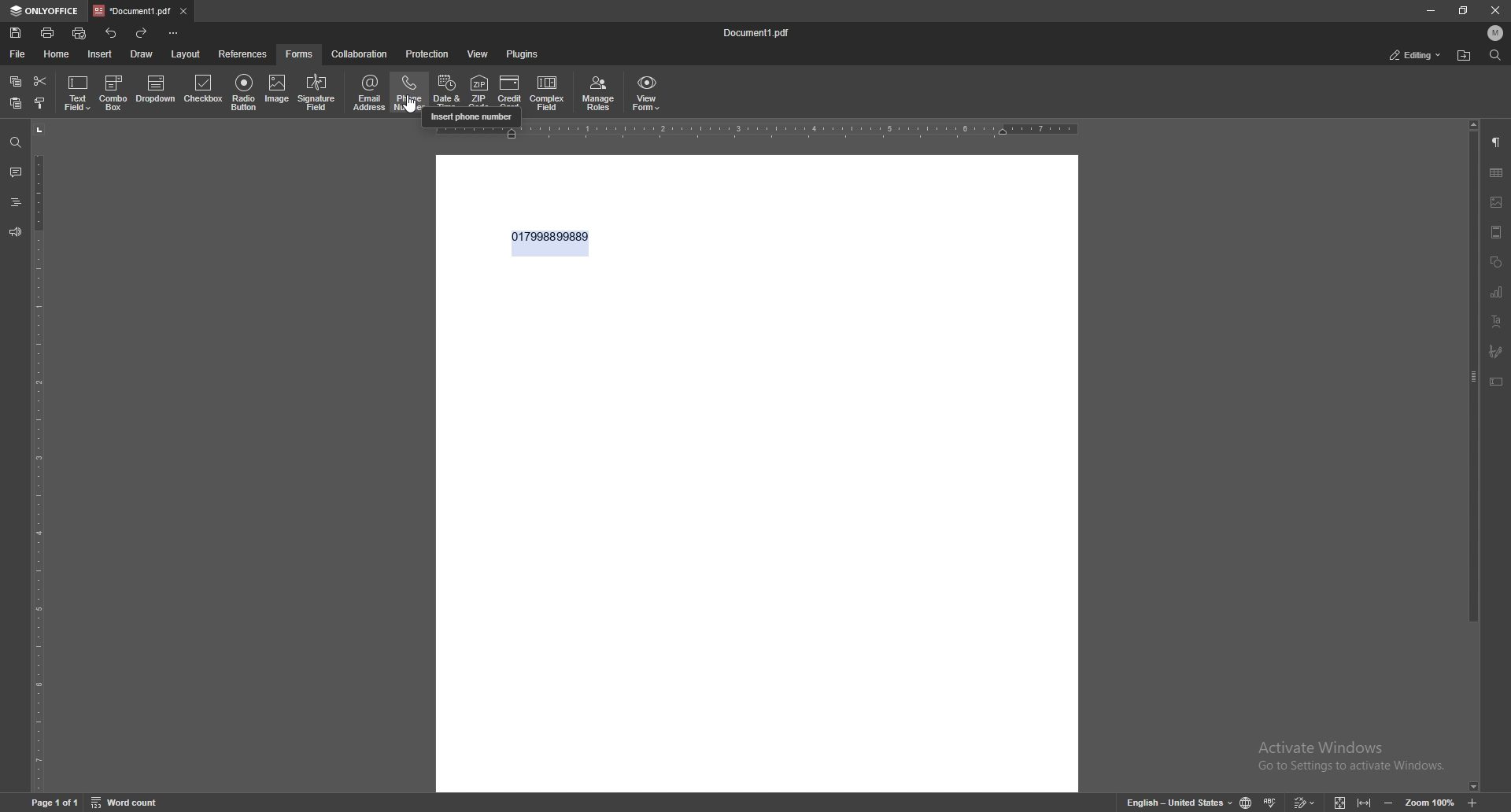 This screenshot has height=812, width=1511. What do you see at coordinates (1354, 757) in the screenshot?
I see `Activate Windows
Go to Settings to activate Windows.` at bounding box center [1354, 757].